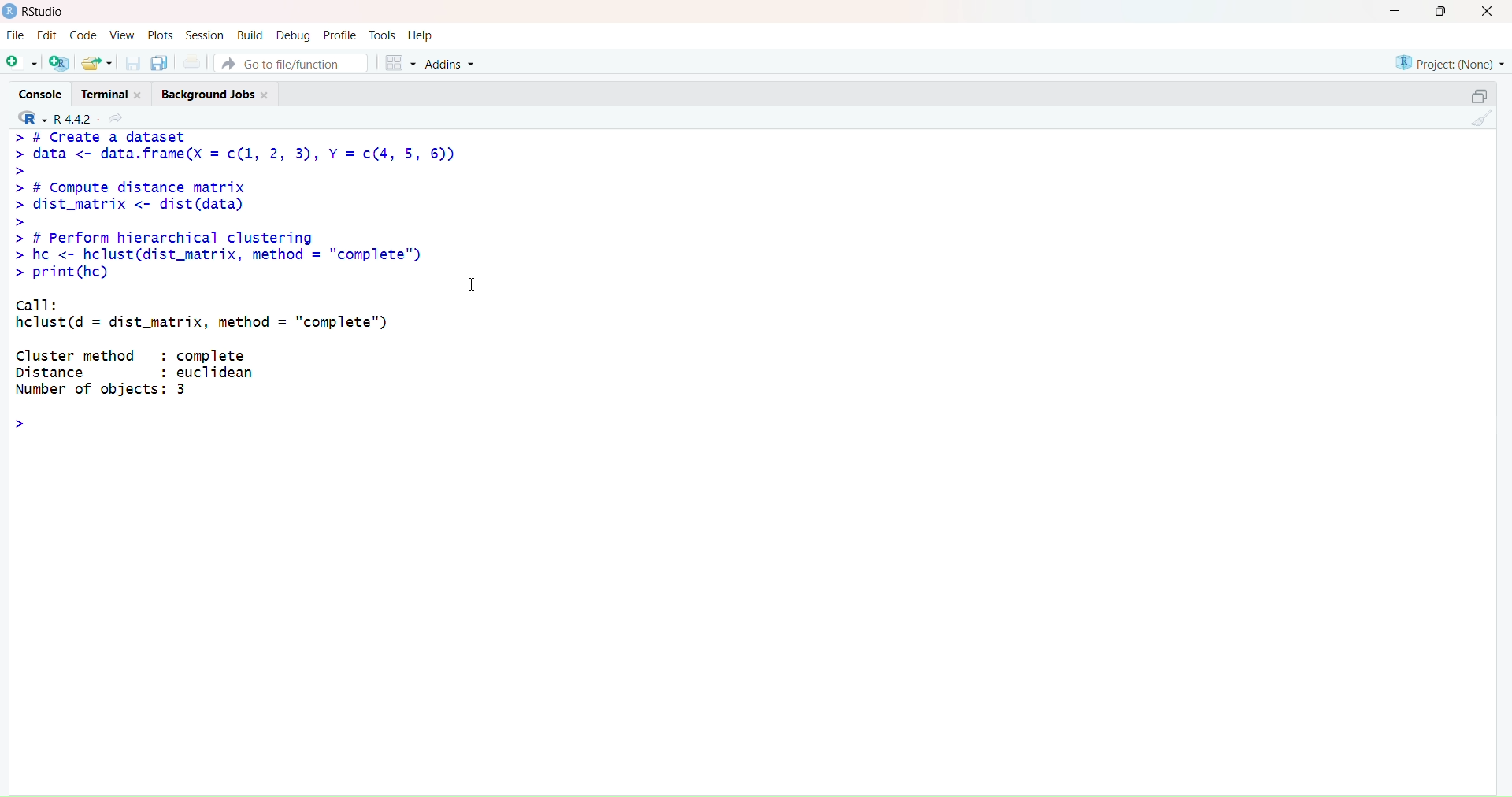  Describe the element at coordinates (131, 61) in the screenshot. I see `Save current document (Ctrl + S)` at that location.